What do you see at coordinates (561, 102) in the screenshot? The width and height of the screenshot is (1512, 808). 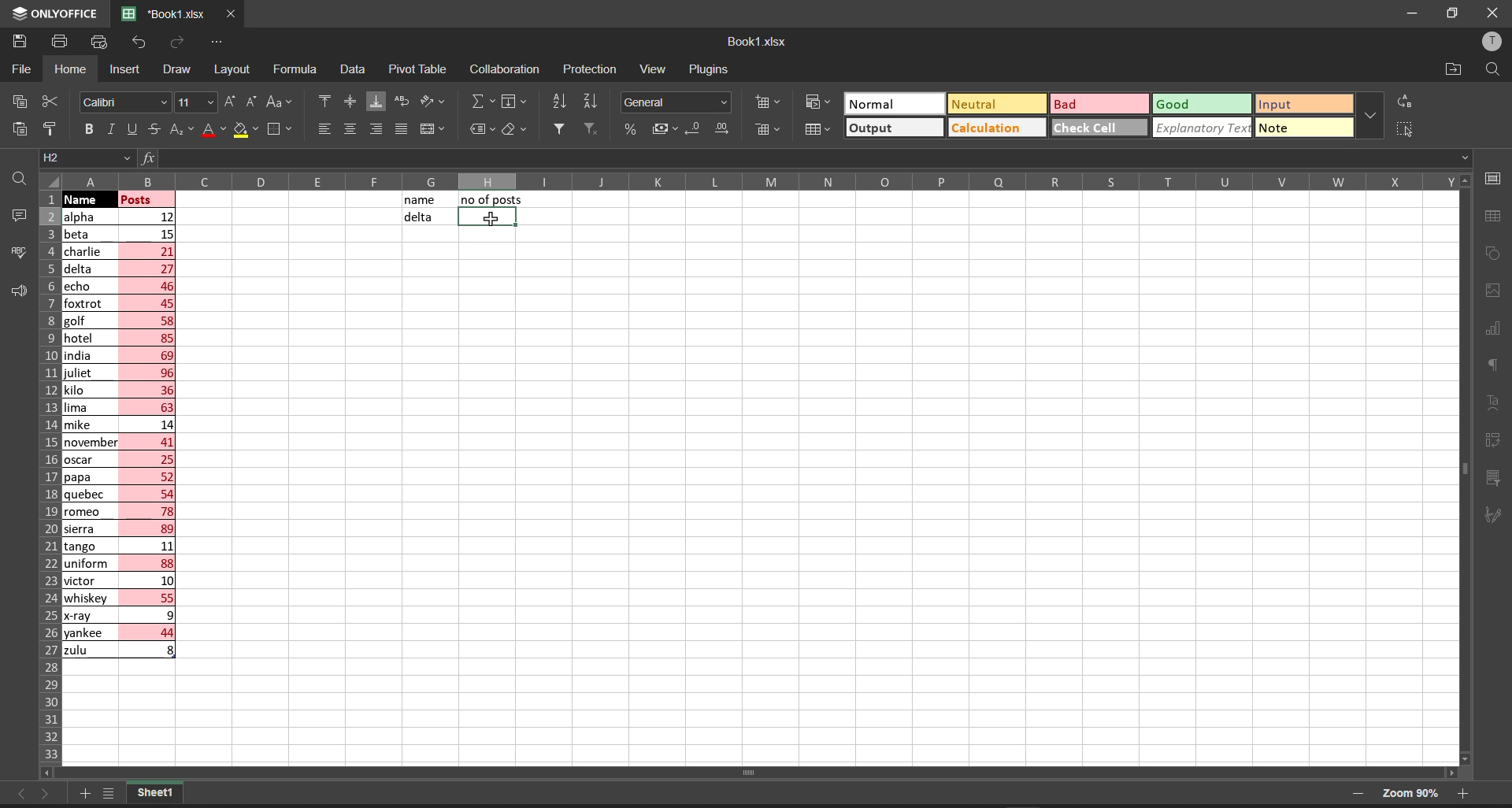 I see `sort ascending` at bounding box center [561, 102].